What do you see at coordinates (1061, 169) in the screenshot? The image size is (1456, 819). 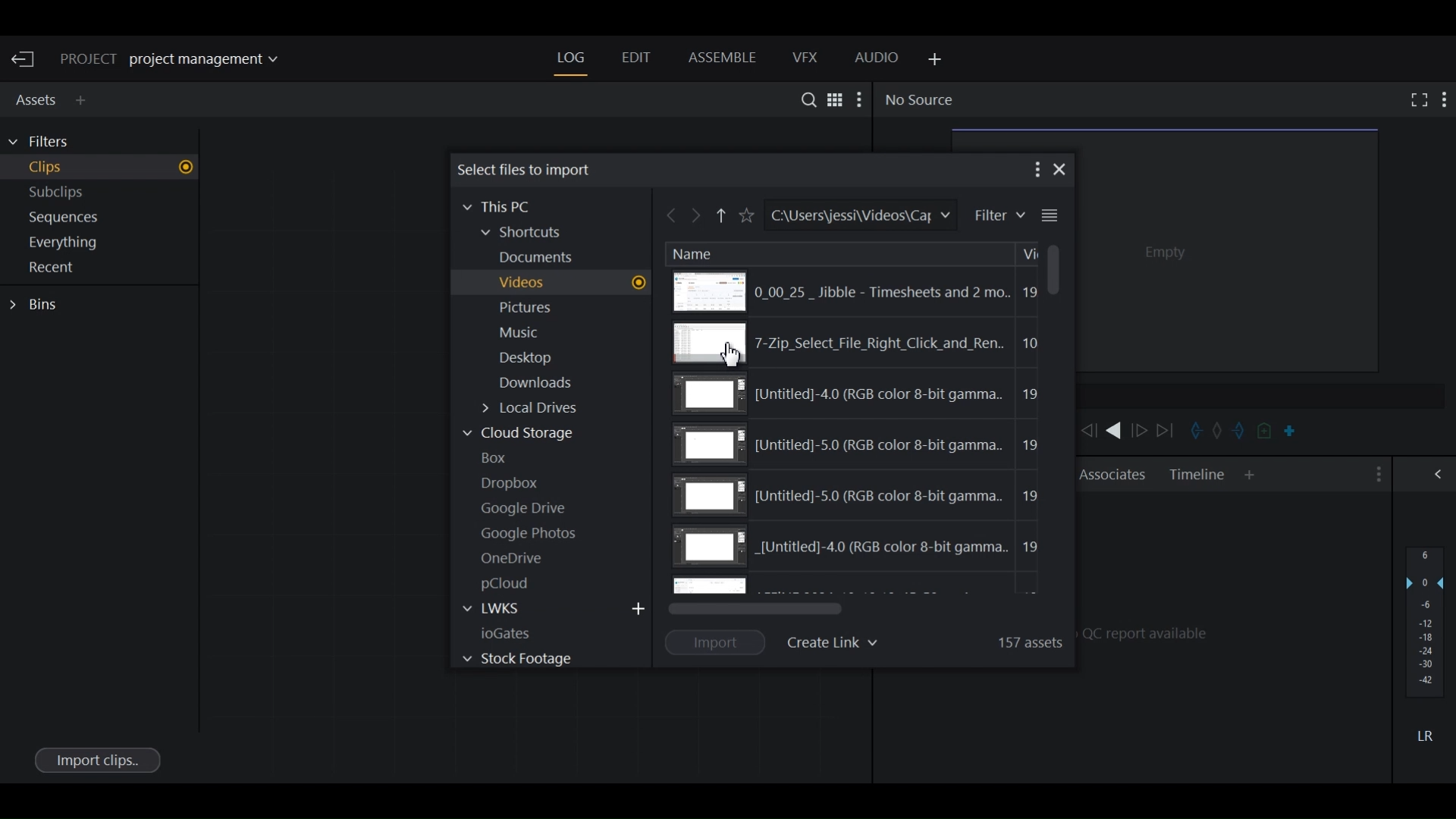 I see `X` at bounding box center [1061, 169].